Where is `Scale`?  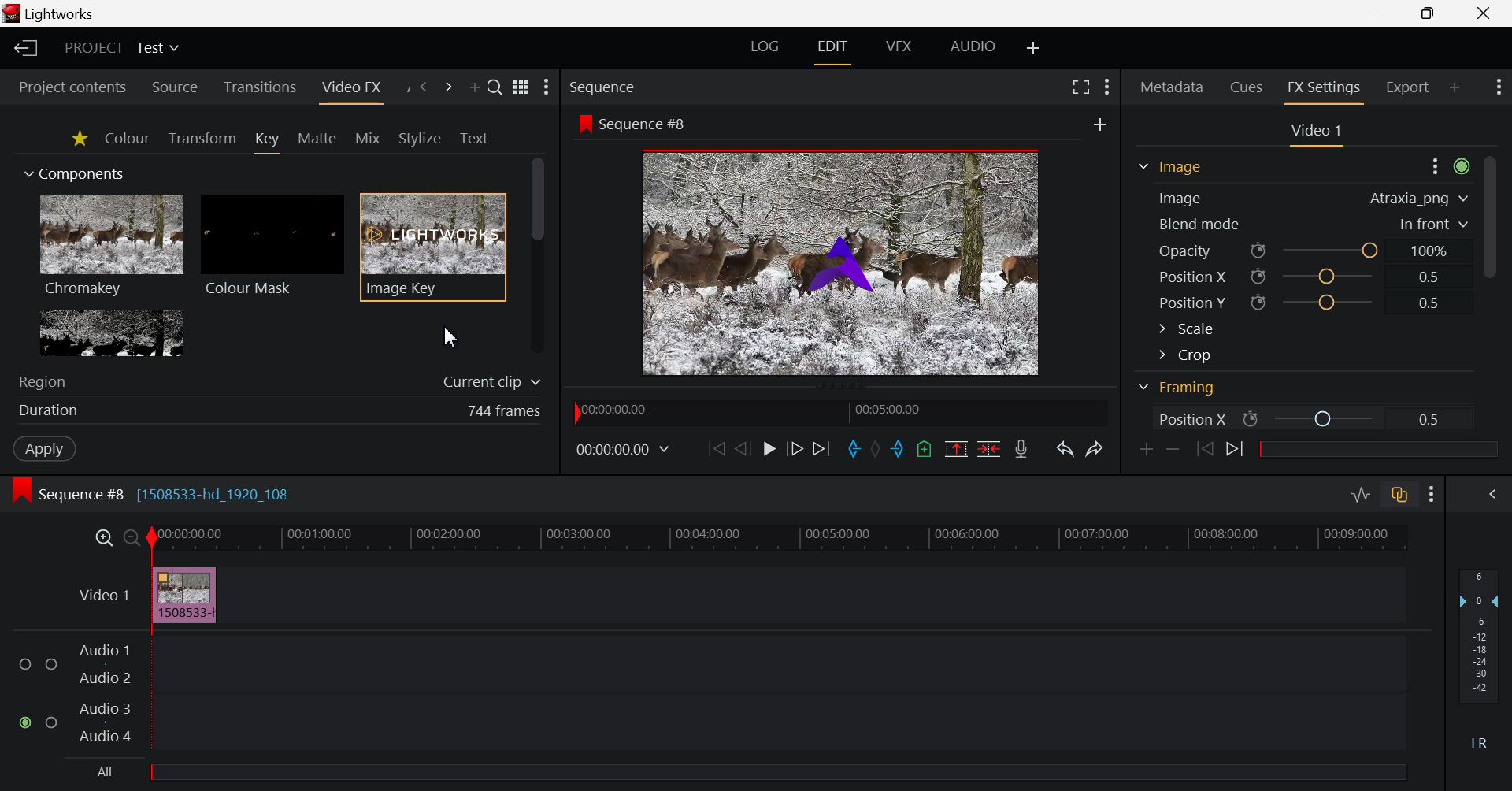 Scale is located at coordinates (1251, 329).